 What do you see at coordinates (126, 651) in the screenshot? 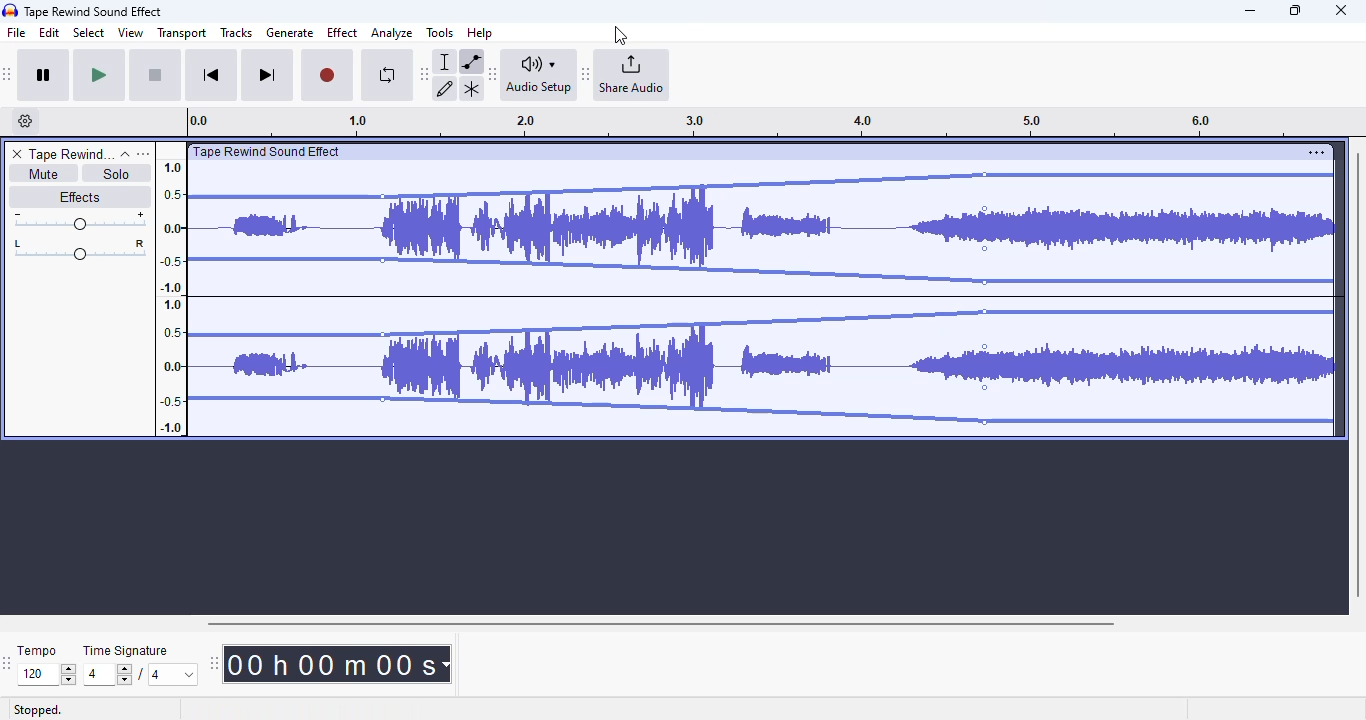
I see `time signature` at bounding box center [126, 651].